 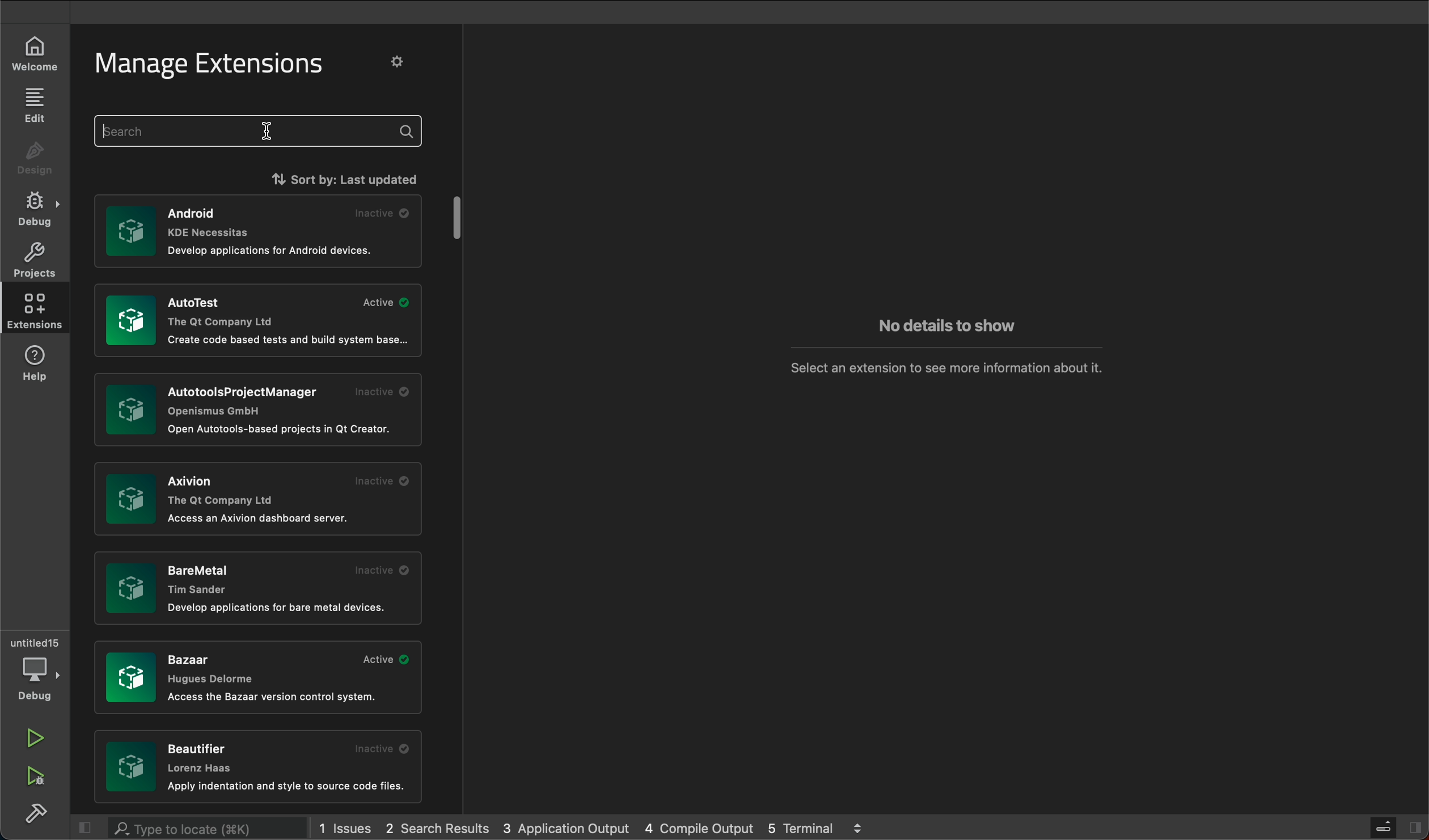 I want to click on extension text, so click(x=218, y=219).